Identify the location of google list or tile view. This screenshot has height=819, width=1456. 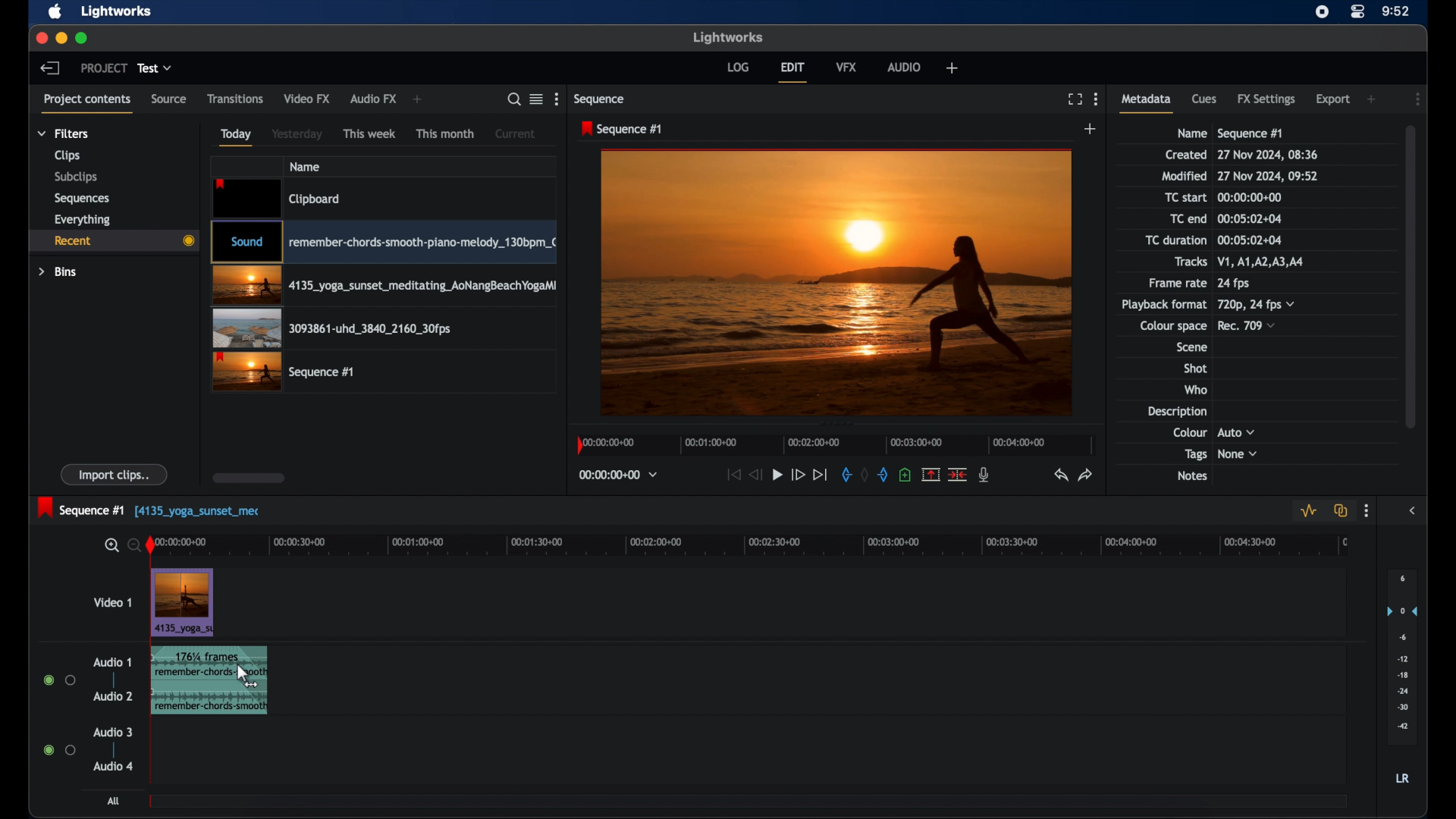
(537, 99).